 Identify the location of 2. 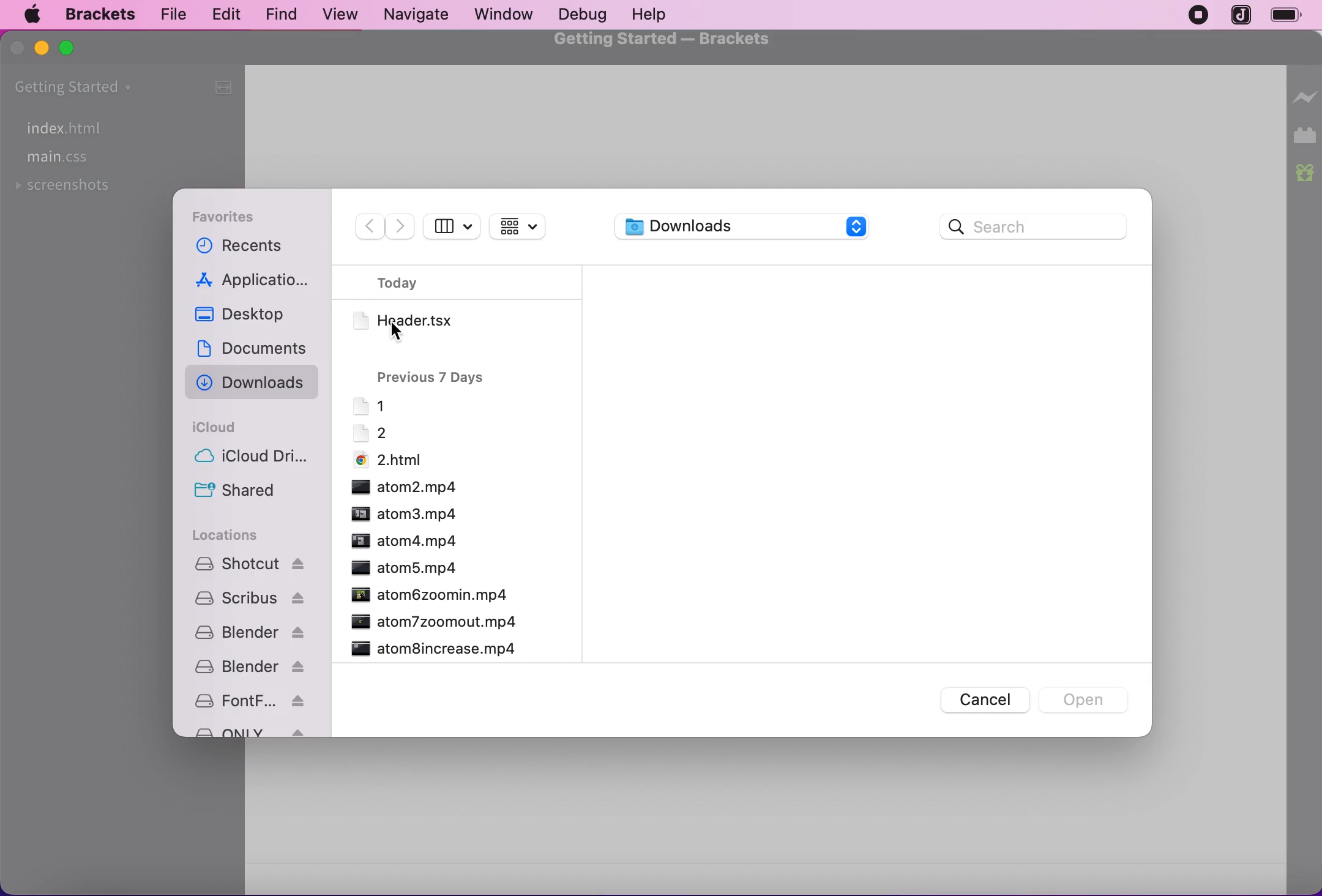
(369, 433).